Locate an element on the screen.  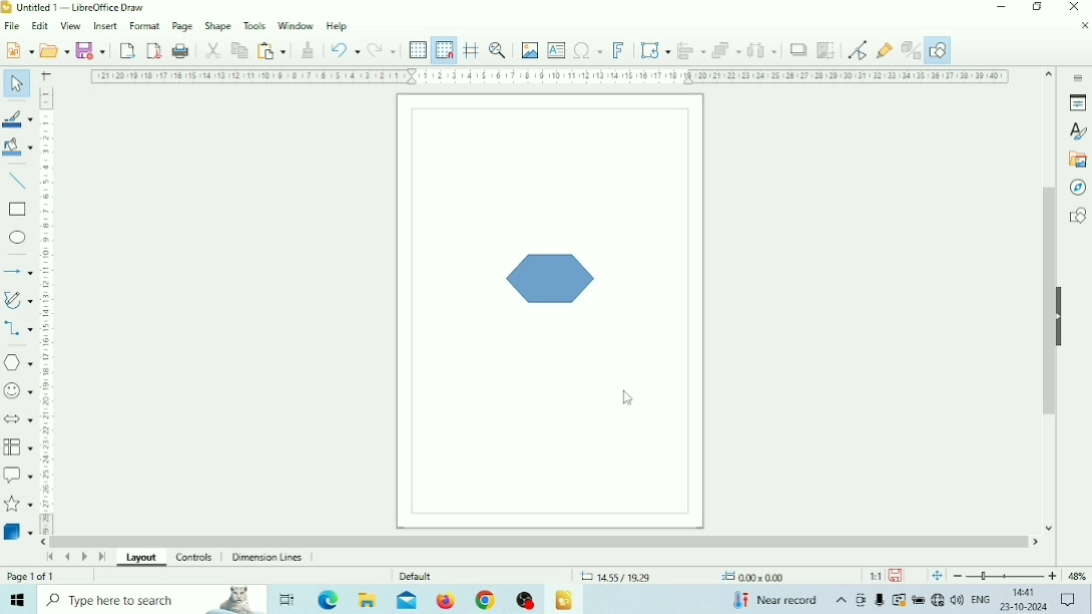
Close is located at coordinates (1073, 7).